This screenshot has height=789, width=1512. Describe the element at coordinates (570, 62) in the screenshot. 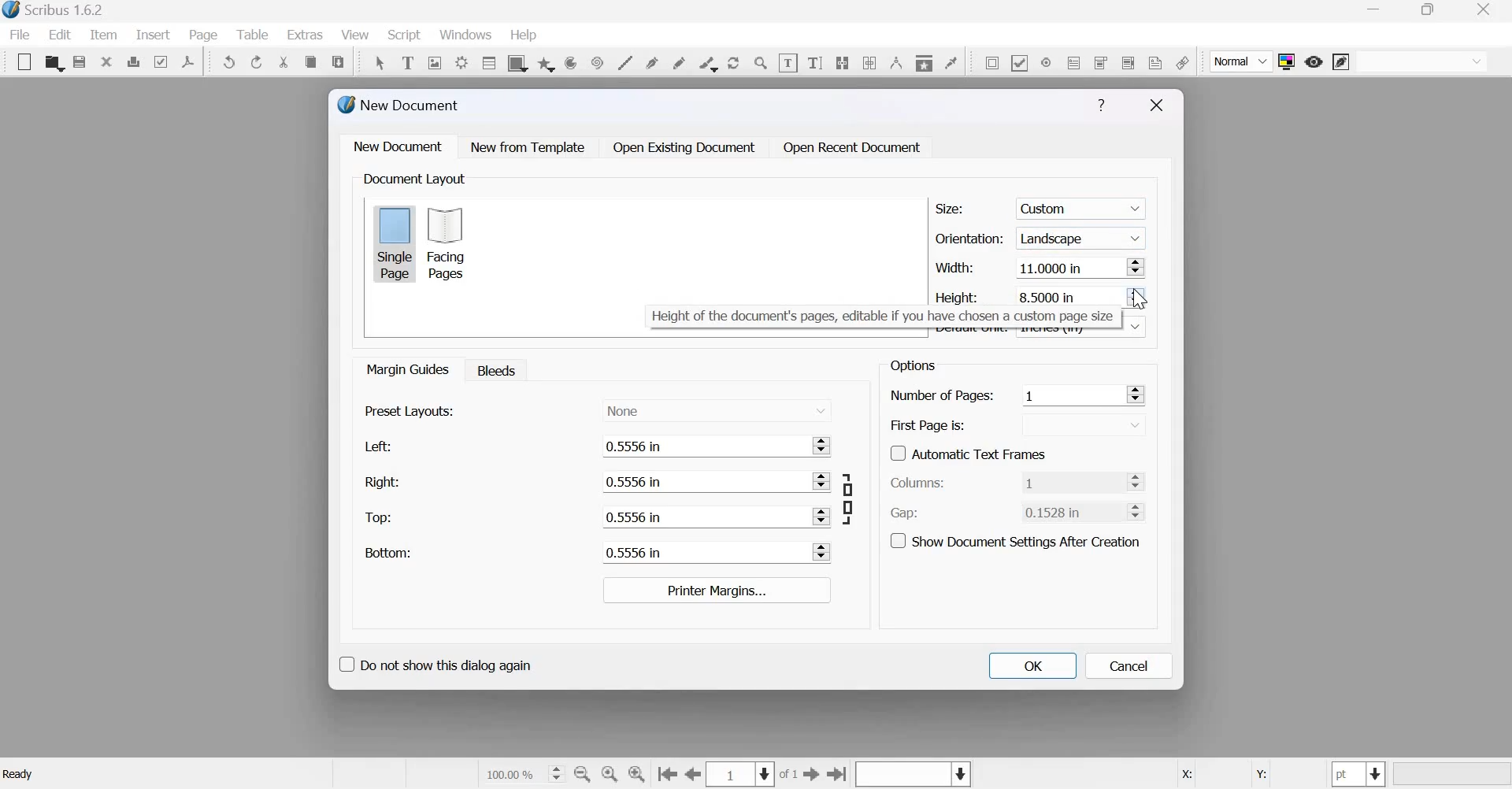

I see `arc` at that location.